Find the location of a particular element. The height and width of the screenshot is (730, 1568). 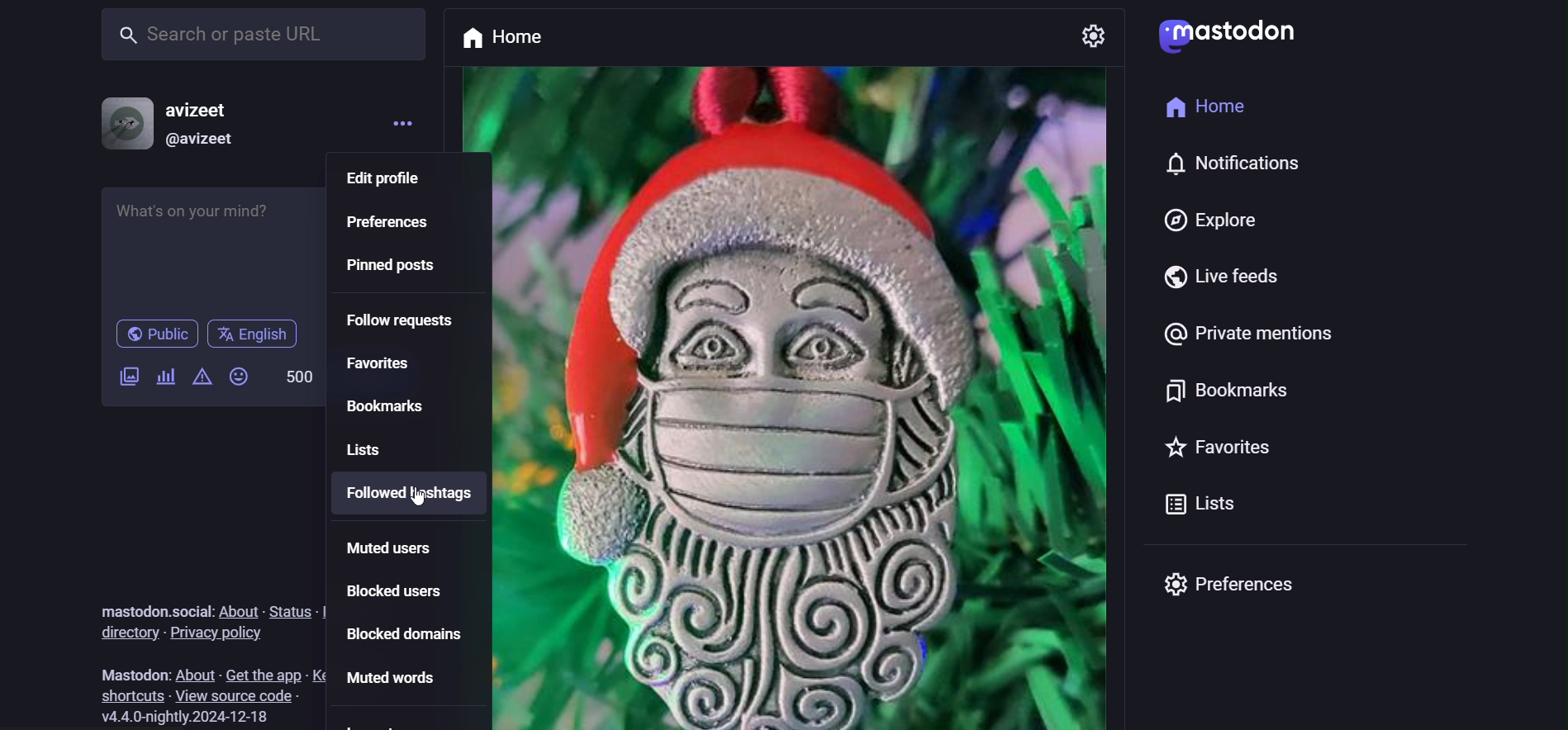

about is located at coordinates (197, 675).